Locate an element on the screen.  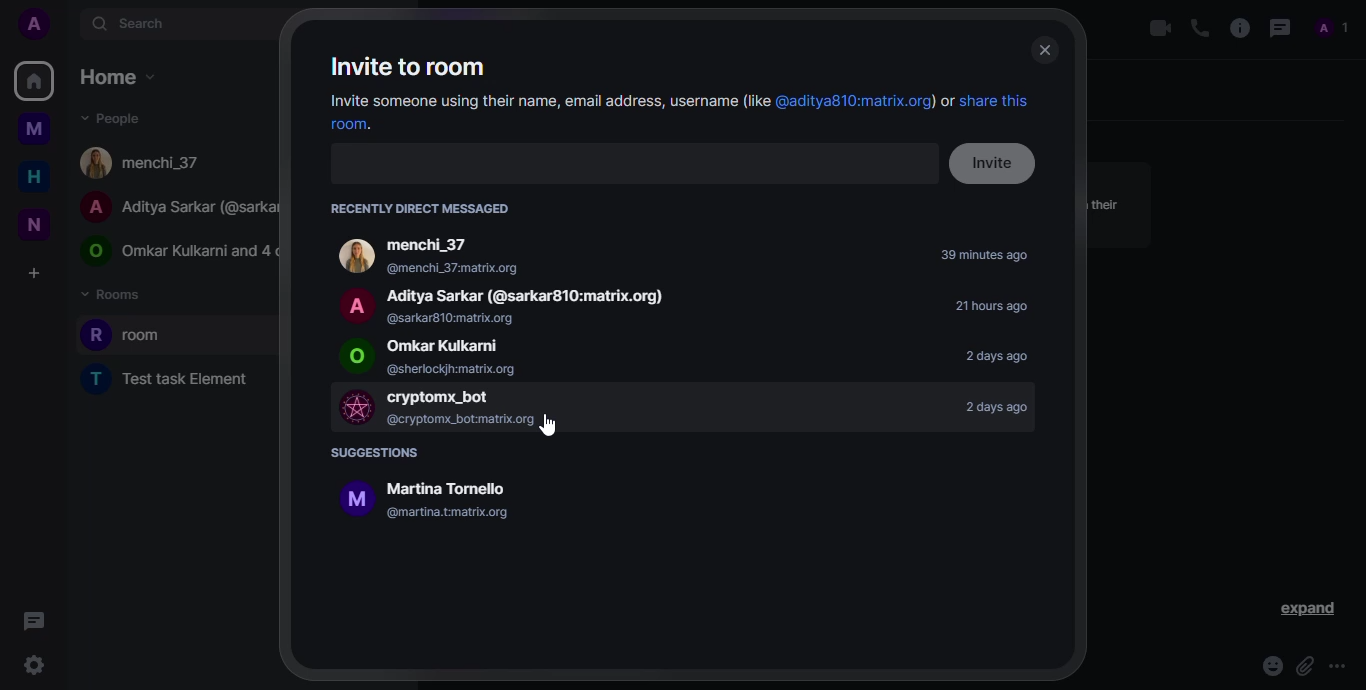
account is located at coordinates (462, 485).